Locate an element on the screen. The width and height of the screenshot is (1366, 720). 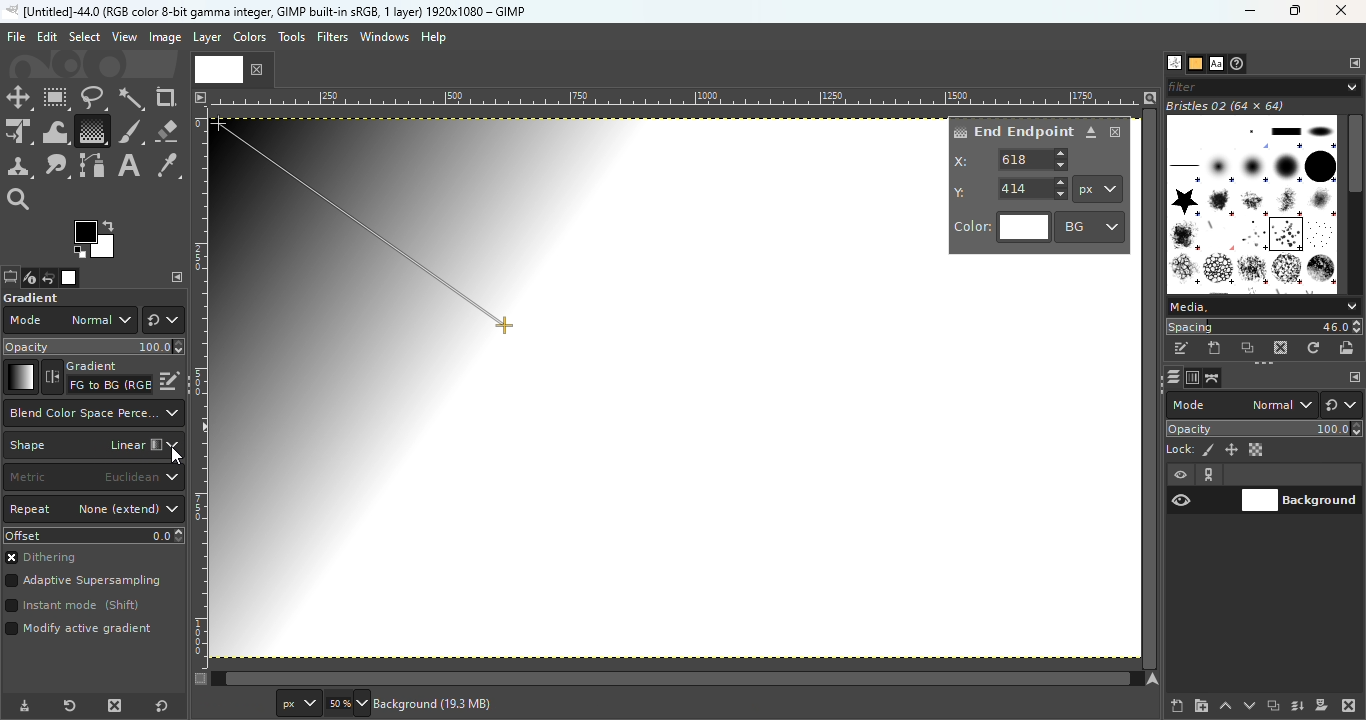
Edit this gradient is located at coordinates (170, 379).